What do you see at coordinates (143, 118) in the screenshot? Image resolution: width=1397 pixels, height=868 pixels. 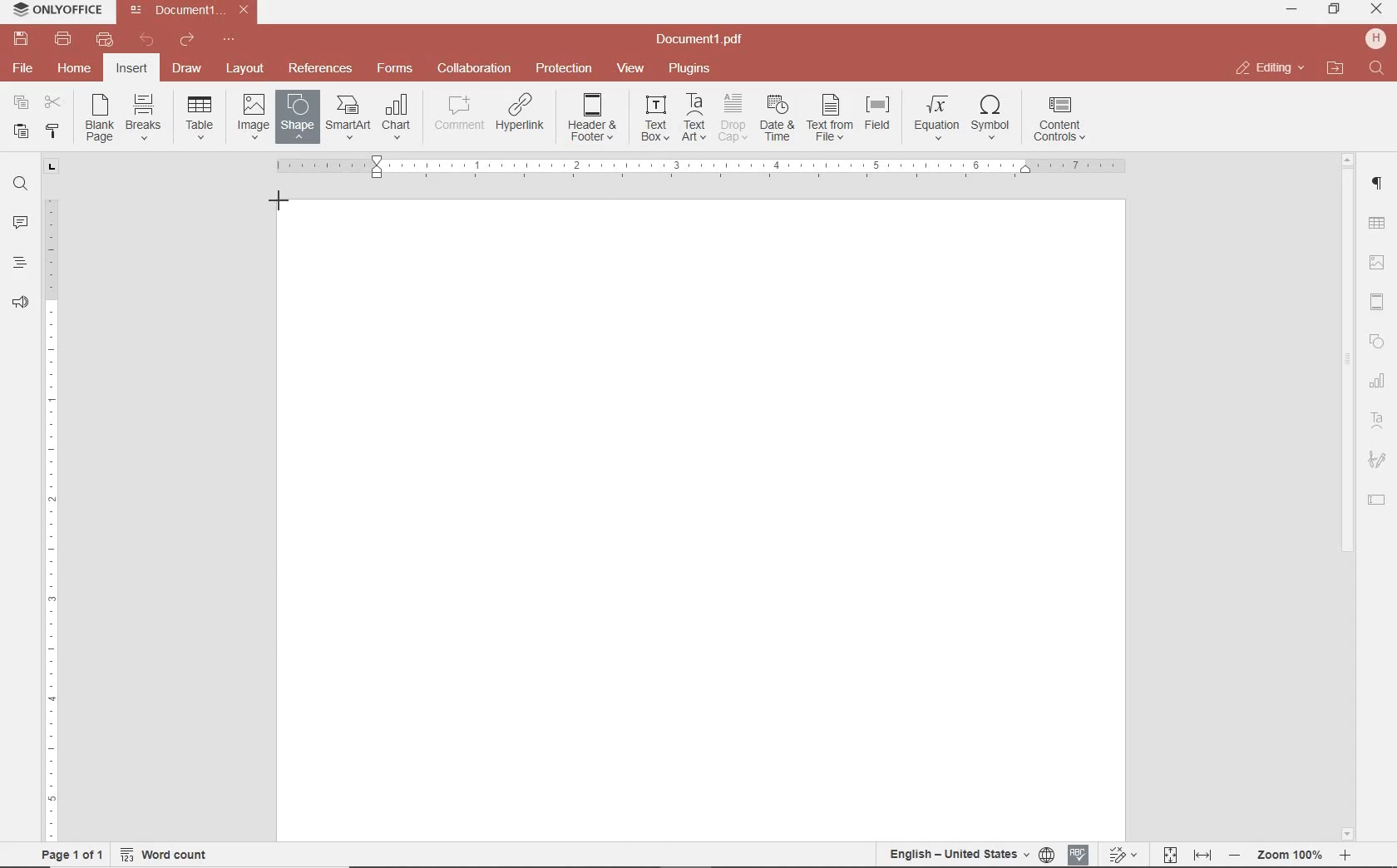 I see `INSERT PAGE OR SECTION BREAK` at bounding box center [143, 118].